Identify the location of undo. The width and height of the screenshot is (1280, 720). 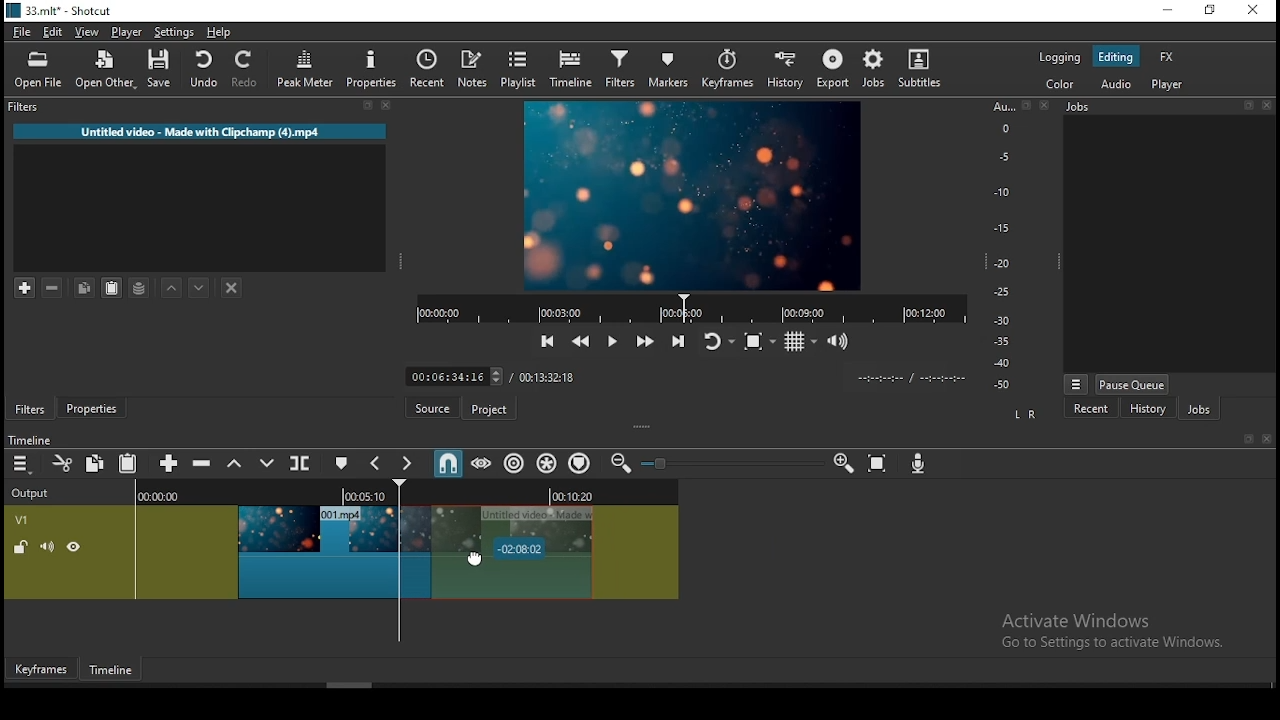
(205, 70).